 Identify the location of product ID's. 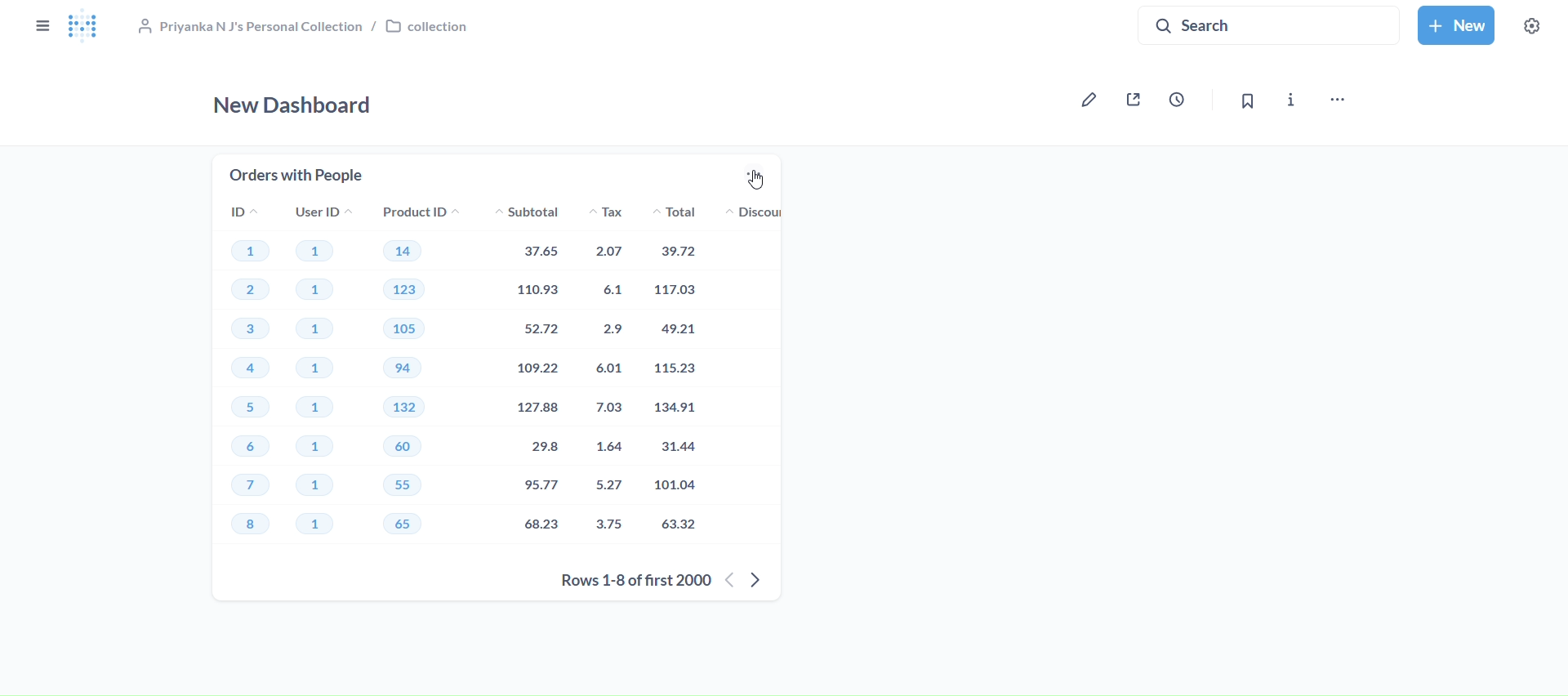
(420, 378).